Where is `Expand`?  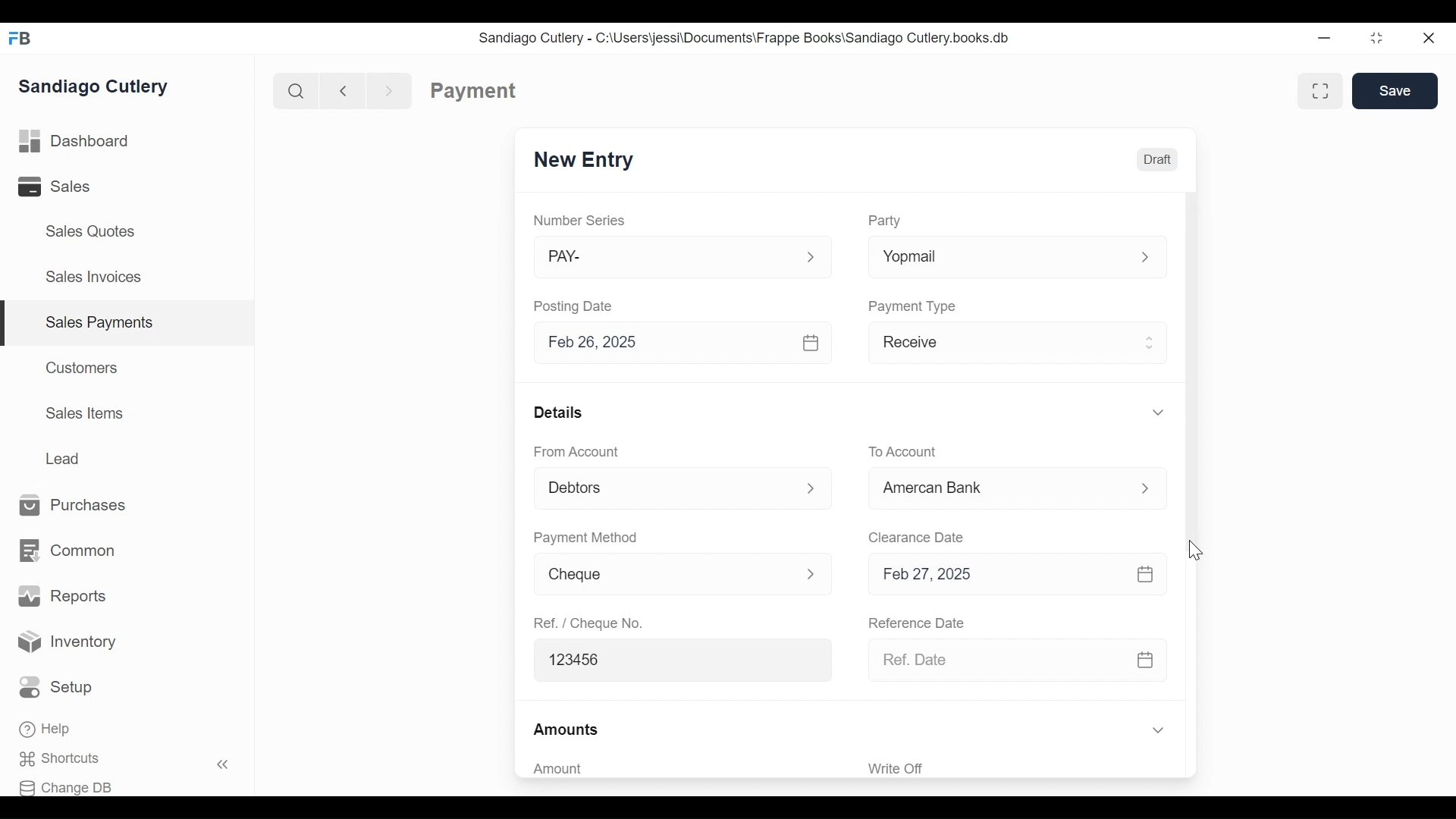
Expand is located at coordinates (1148, 489).